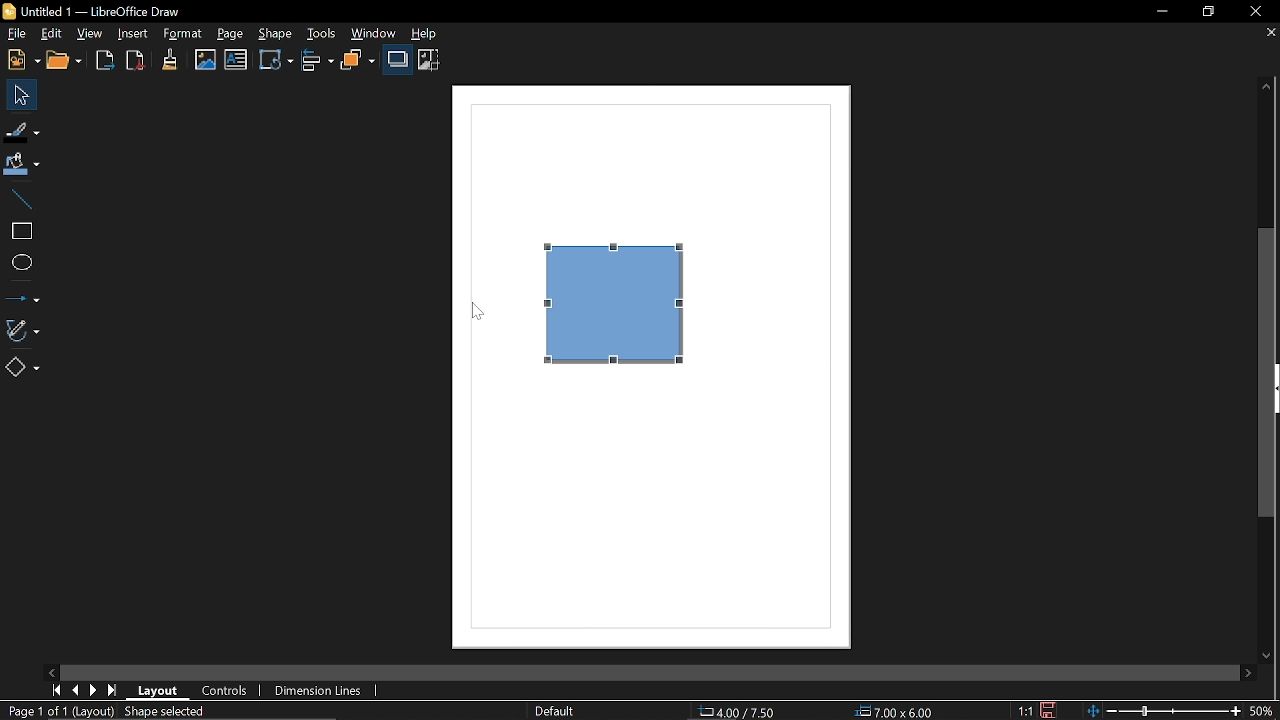  I want to click on dimension lines, so click(318, 690).